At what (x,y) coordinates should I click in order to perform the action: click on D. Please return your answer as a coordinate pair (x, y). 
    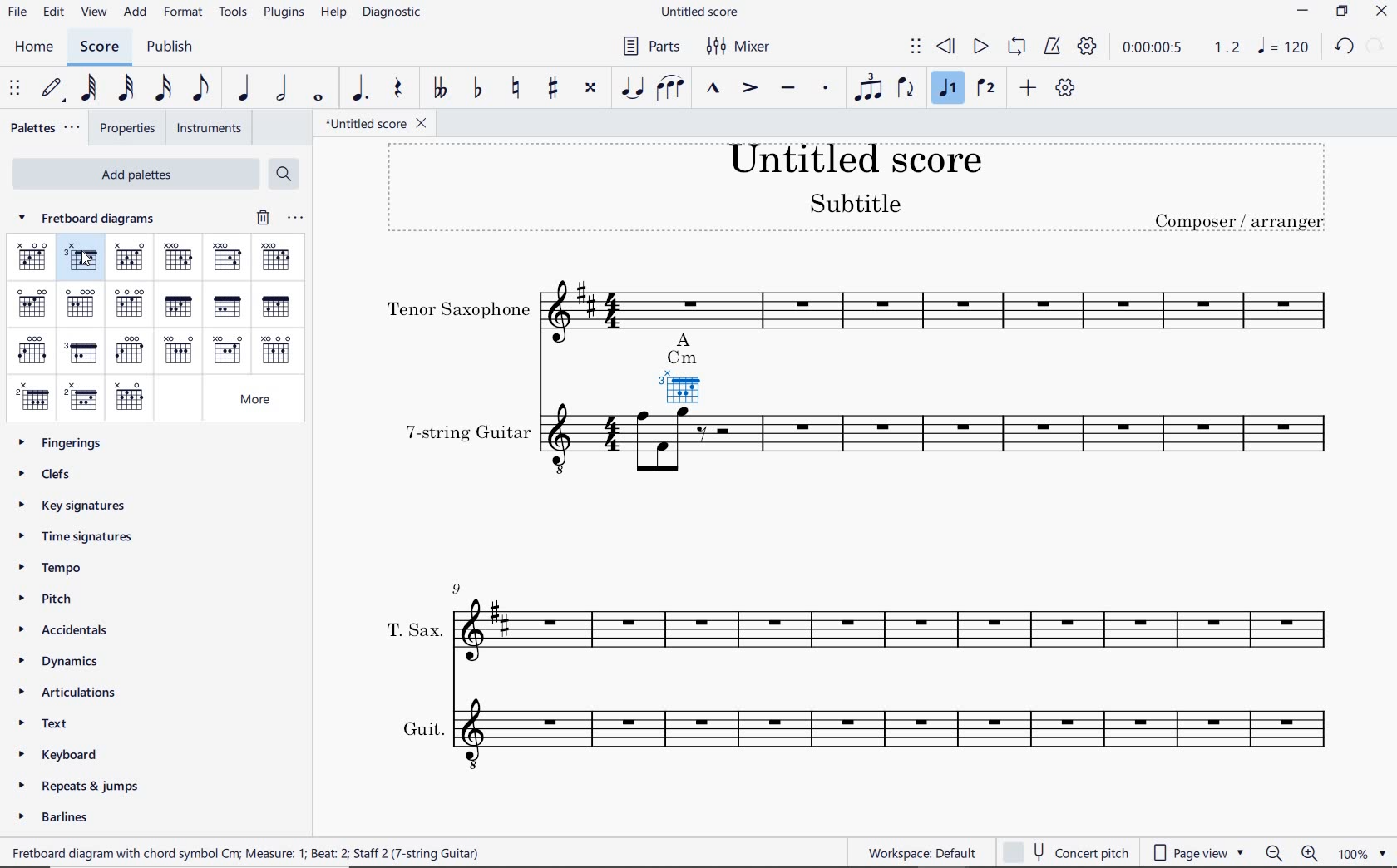
    Looking at the image, I should click on (178, 258).